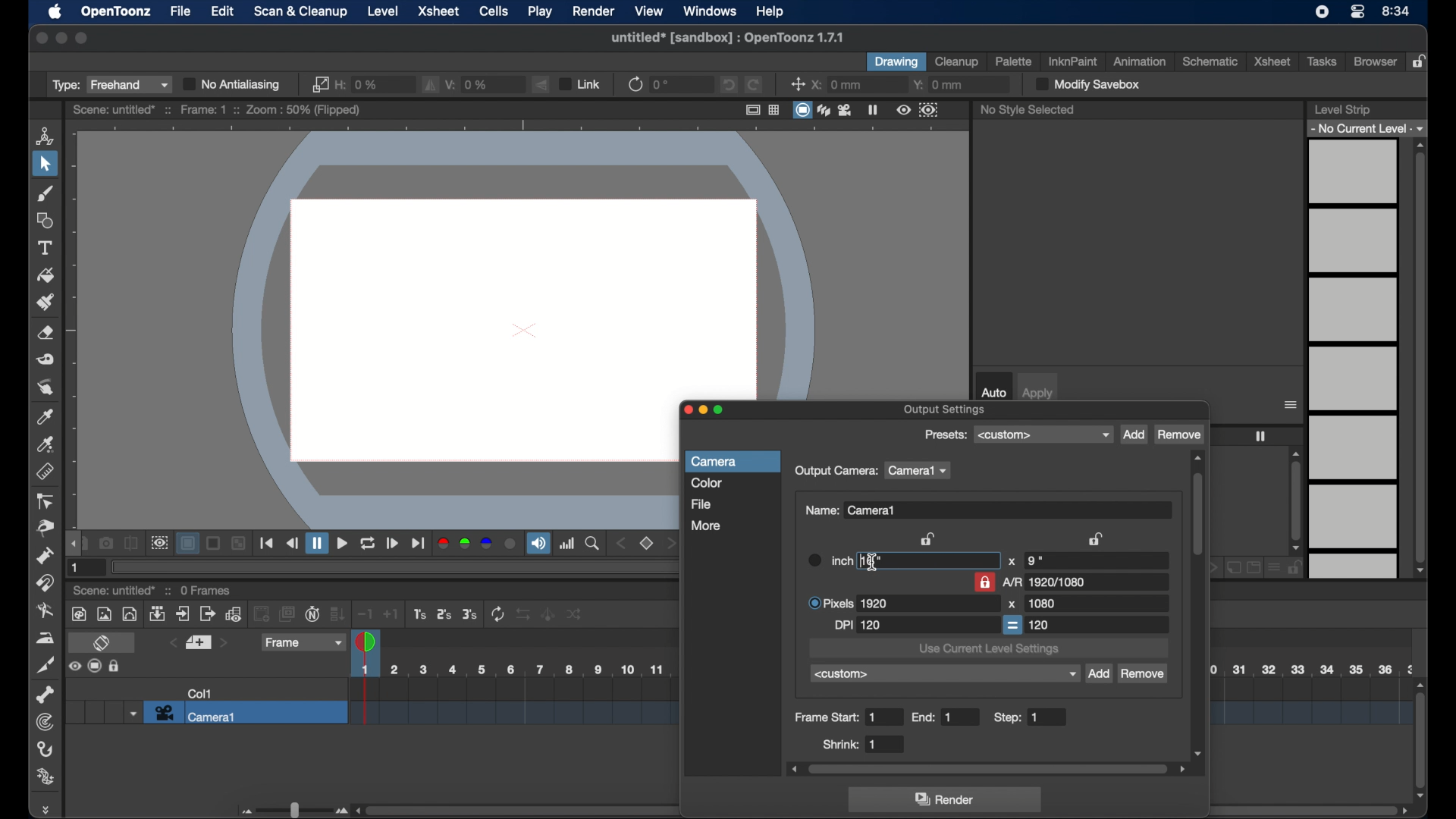  What do you see at coordinates (934, 717) in the screenshot?
I see `end` at bounding box center [934, 717].